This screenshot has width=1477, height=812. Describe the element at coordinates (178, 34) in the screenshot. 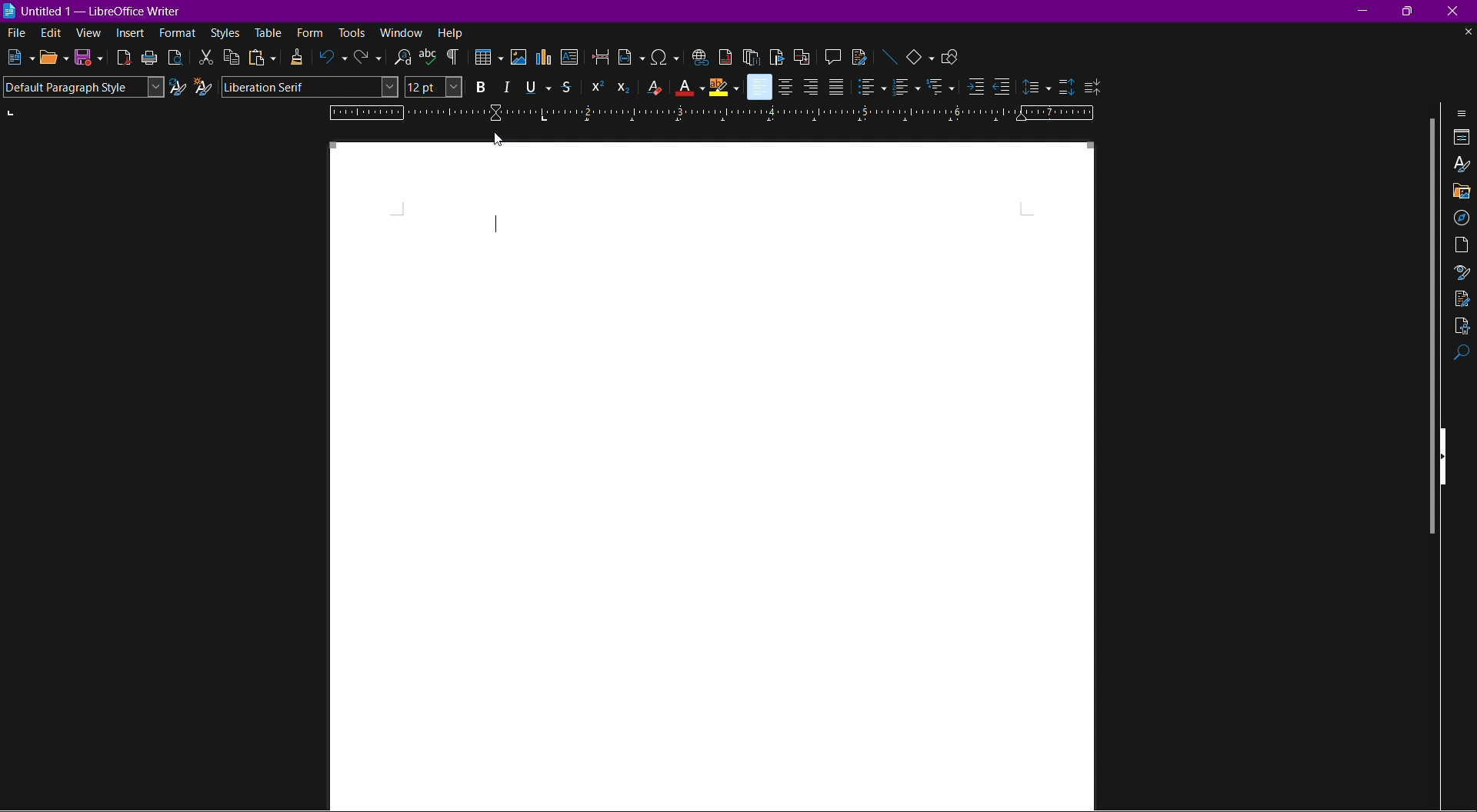

I see `format` at that location.